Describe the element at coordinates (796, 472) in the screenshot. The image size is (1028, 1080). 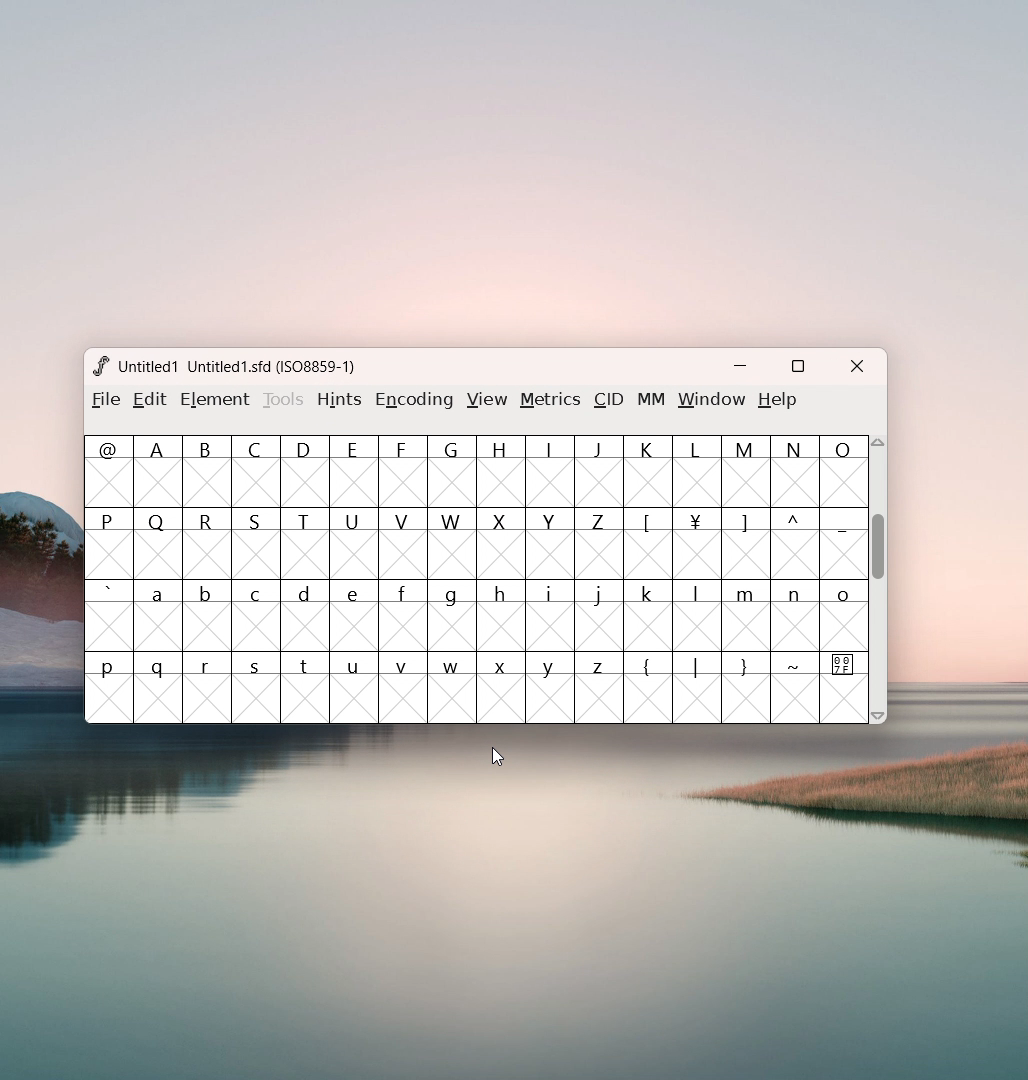
I see `N` at that location.